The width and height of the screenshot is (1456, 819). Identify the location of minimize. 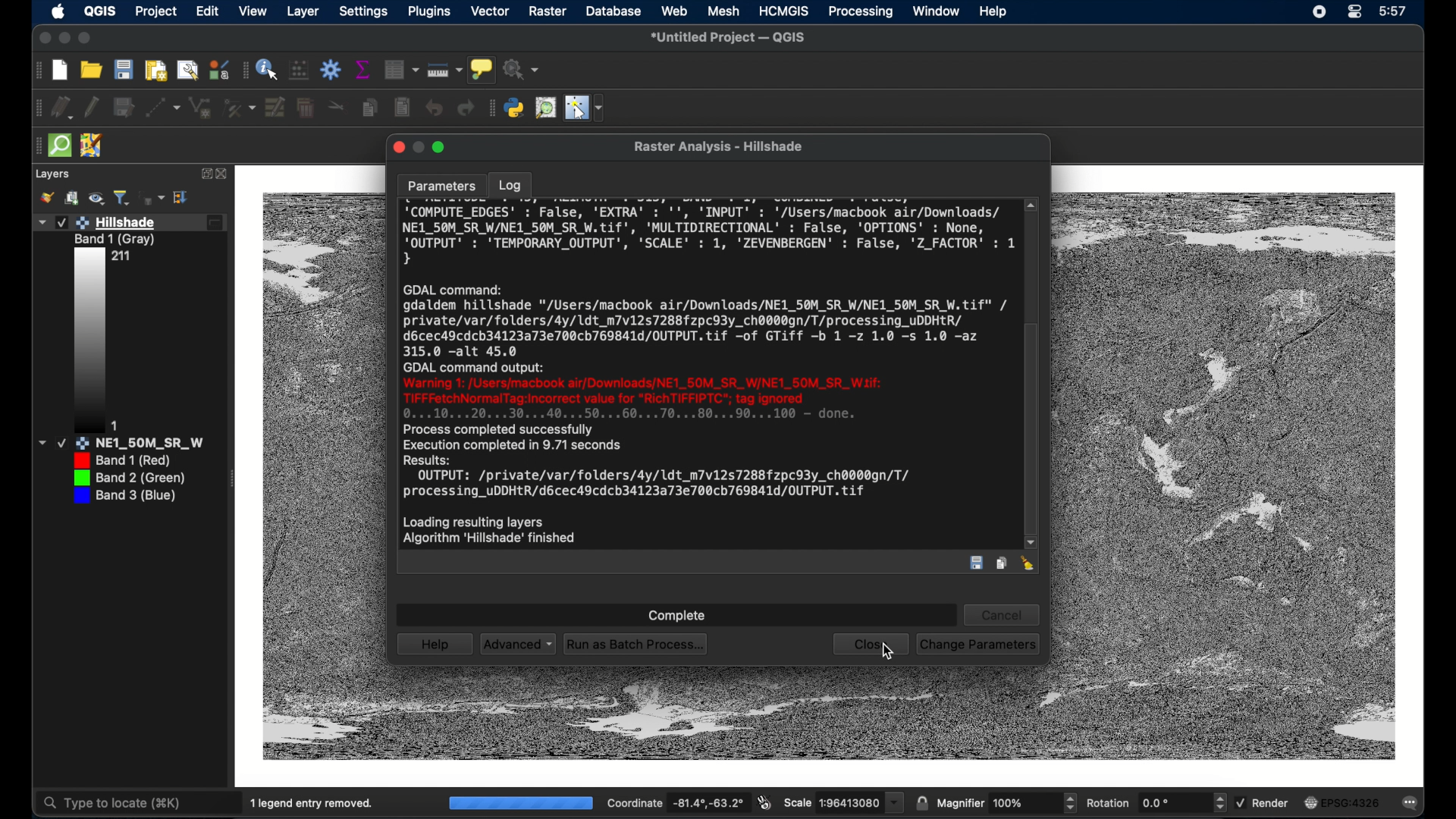
(419, 148).